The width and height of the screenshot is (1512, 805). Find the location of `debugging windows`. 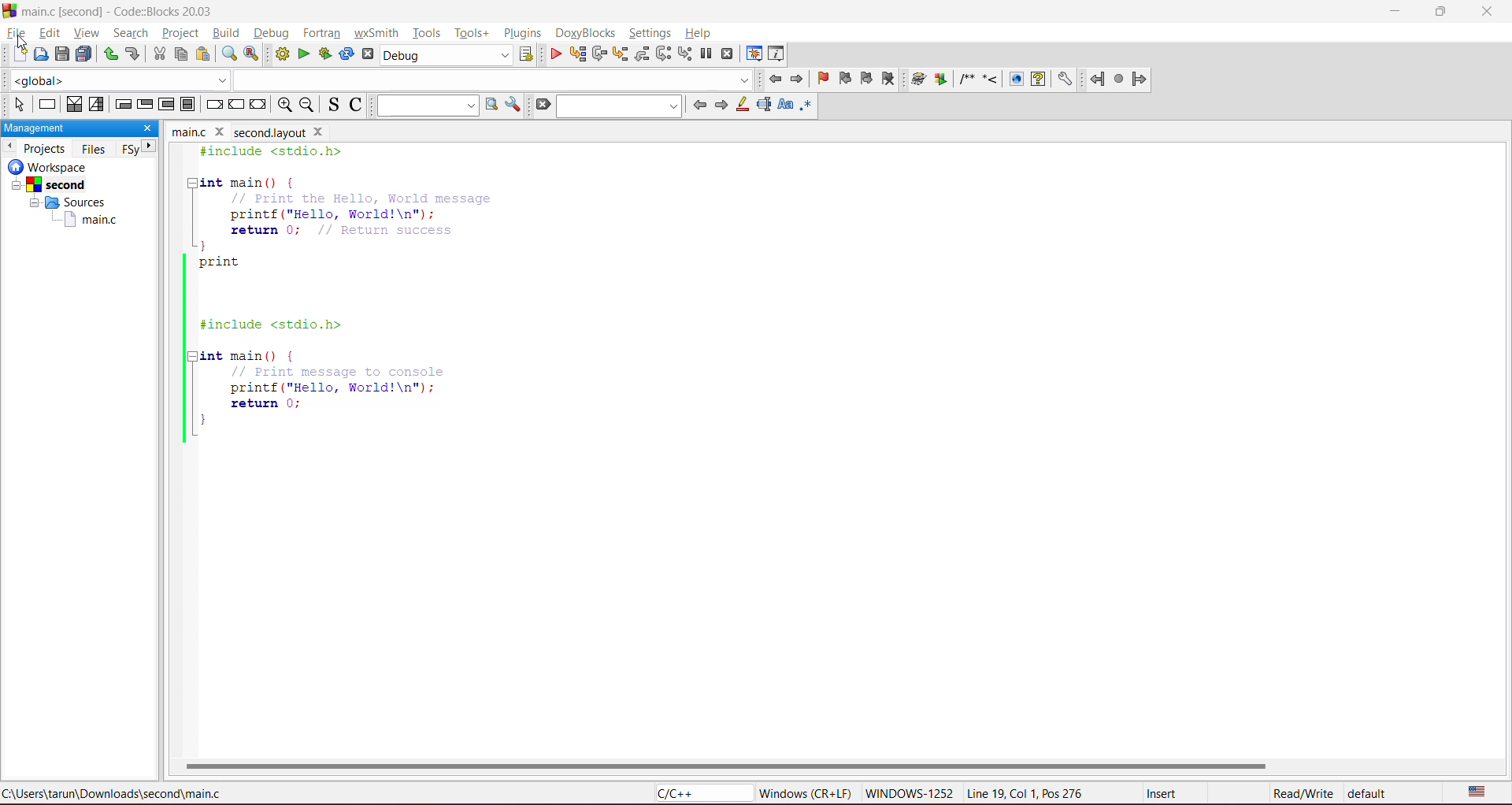

debugging windows is located at coordinates (754, 55).